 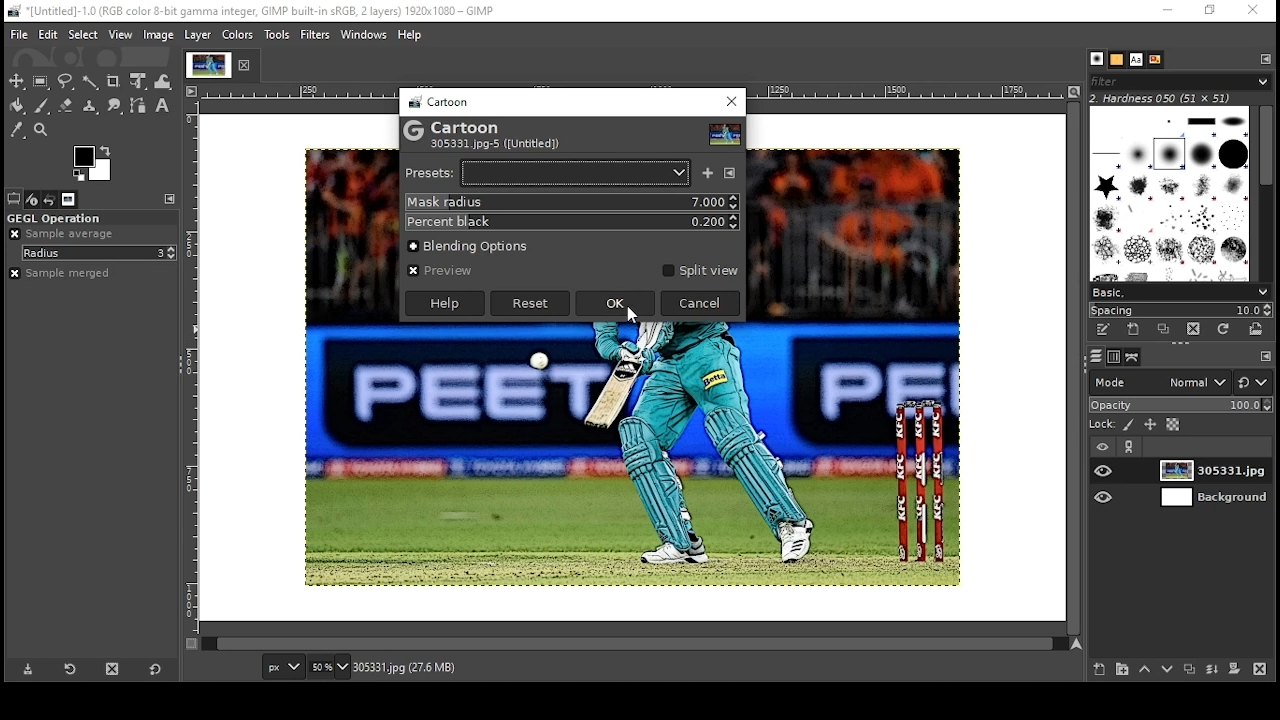 I want to click on unified transform tool, so click(x=139, y=80).